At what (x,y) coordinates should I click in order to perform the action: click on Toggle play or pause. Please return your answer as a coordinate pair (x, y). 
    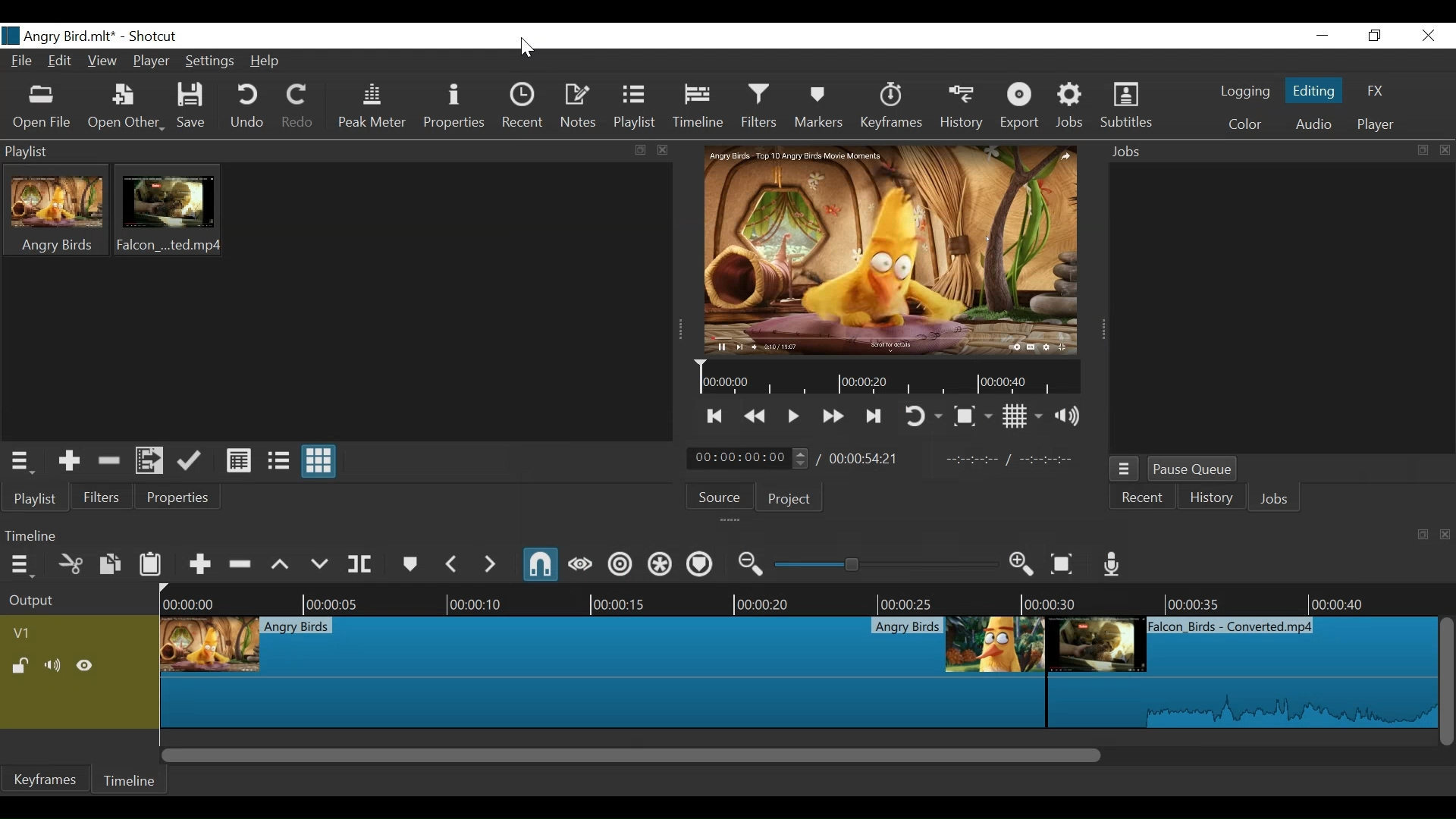
    Looking at the image, I should click on (794, 416).